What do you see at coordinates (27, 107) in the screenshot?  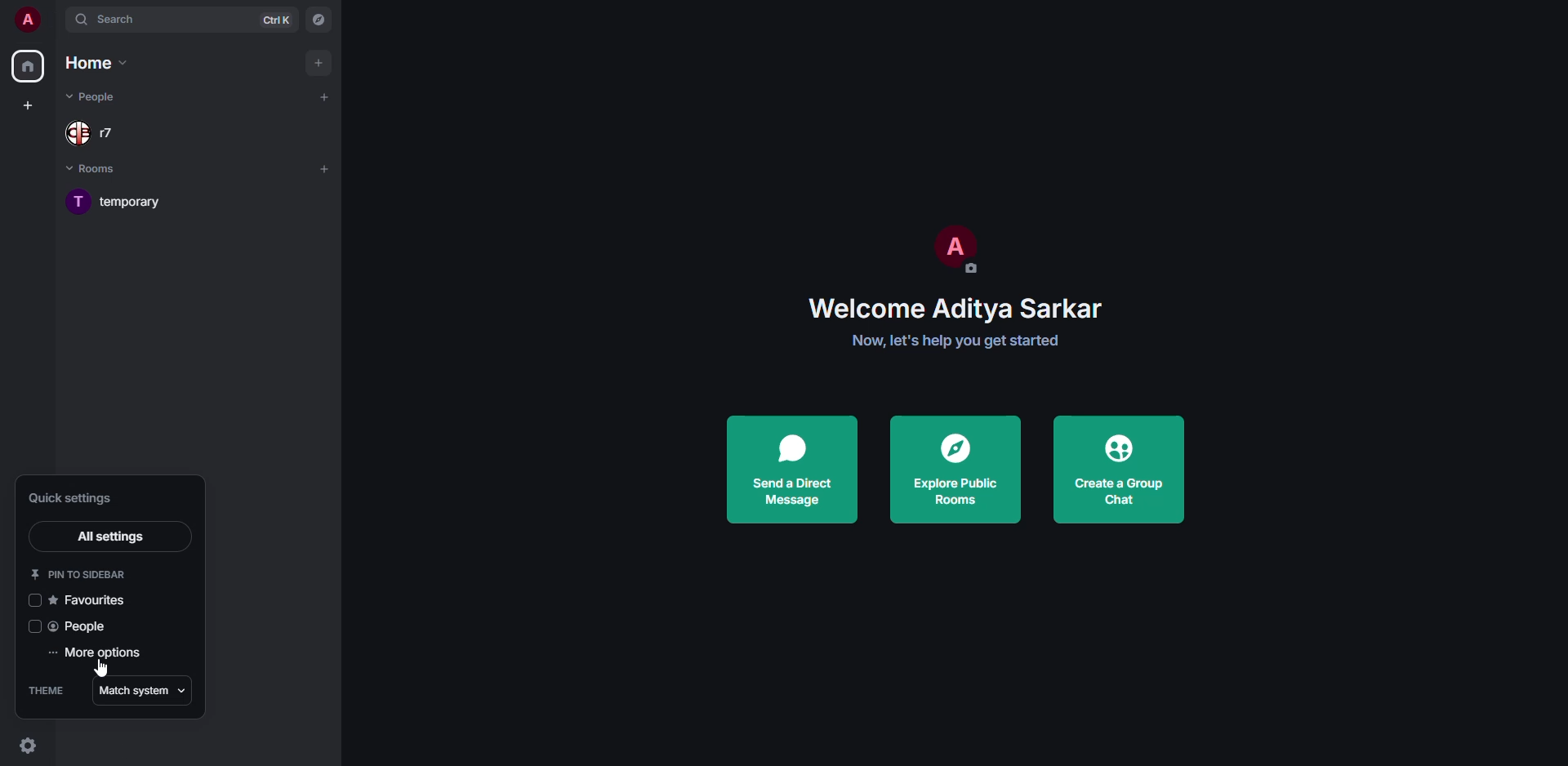 I see `create space` at bounding box center [27, 107].